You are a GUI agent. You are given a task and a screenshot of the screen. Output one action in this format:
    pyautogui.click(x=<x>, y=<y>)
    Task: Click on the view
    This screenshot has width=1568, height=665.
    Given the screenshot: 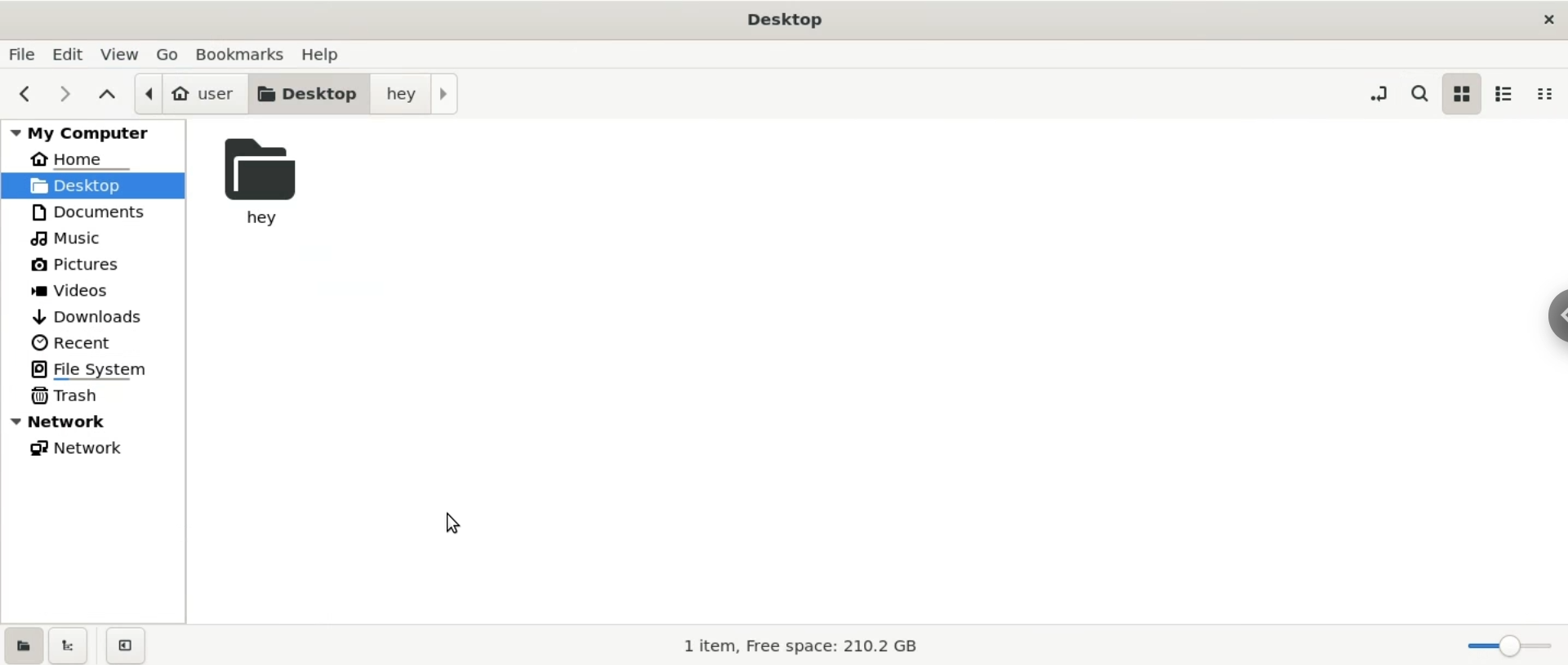 What is the action you would take?
    pyautogui.click(x=123, y=56)
    